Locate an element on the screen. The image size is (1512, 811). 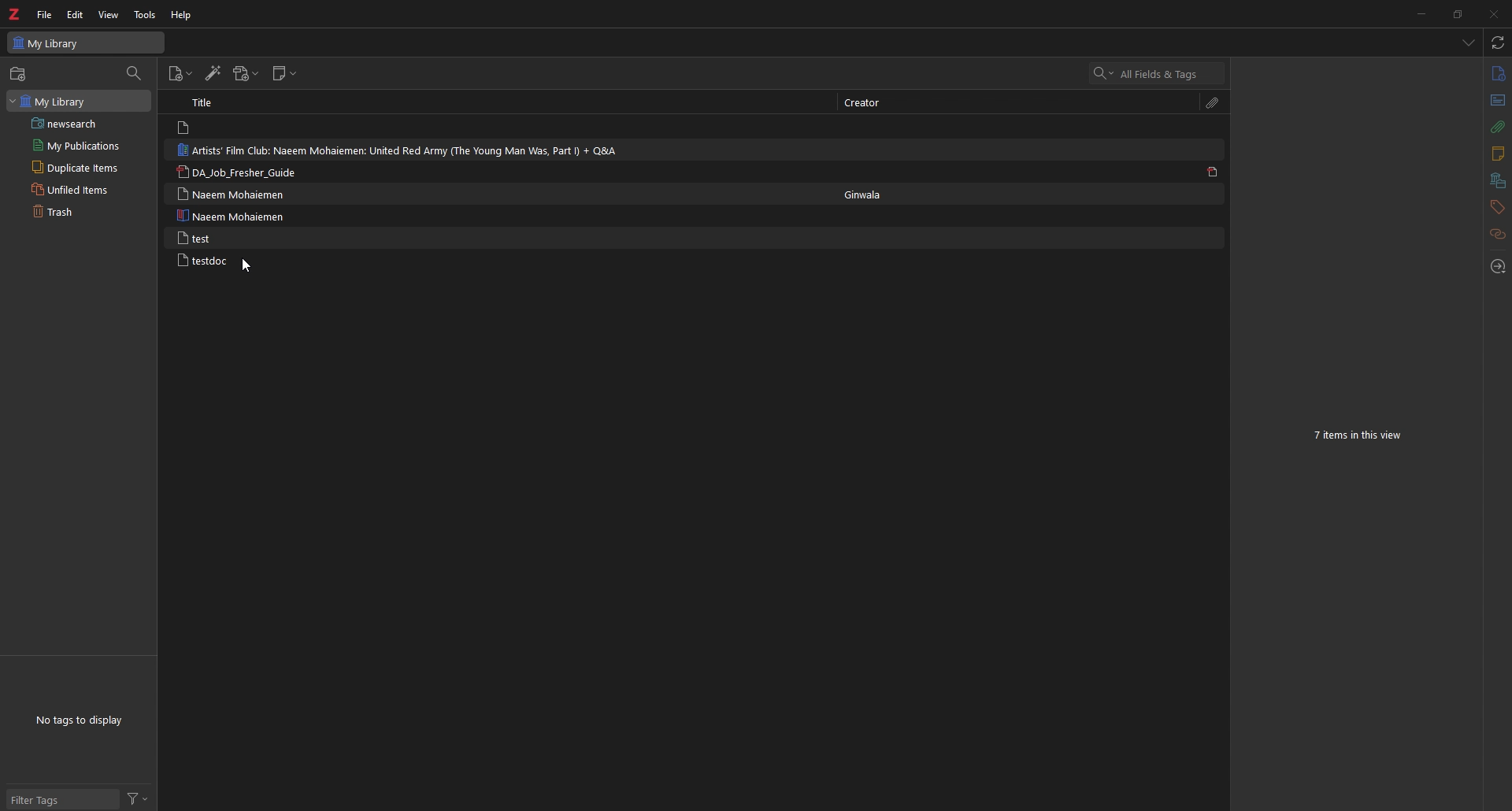
Unfiled items is located at coordinates (80, 189).